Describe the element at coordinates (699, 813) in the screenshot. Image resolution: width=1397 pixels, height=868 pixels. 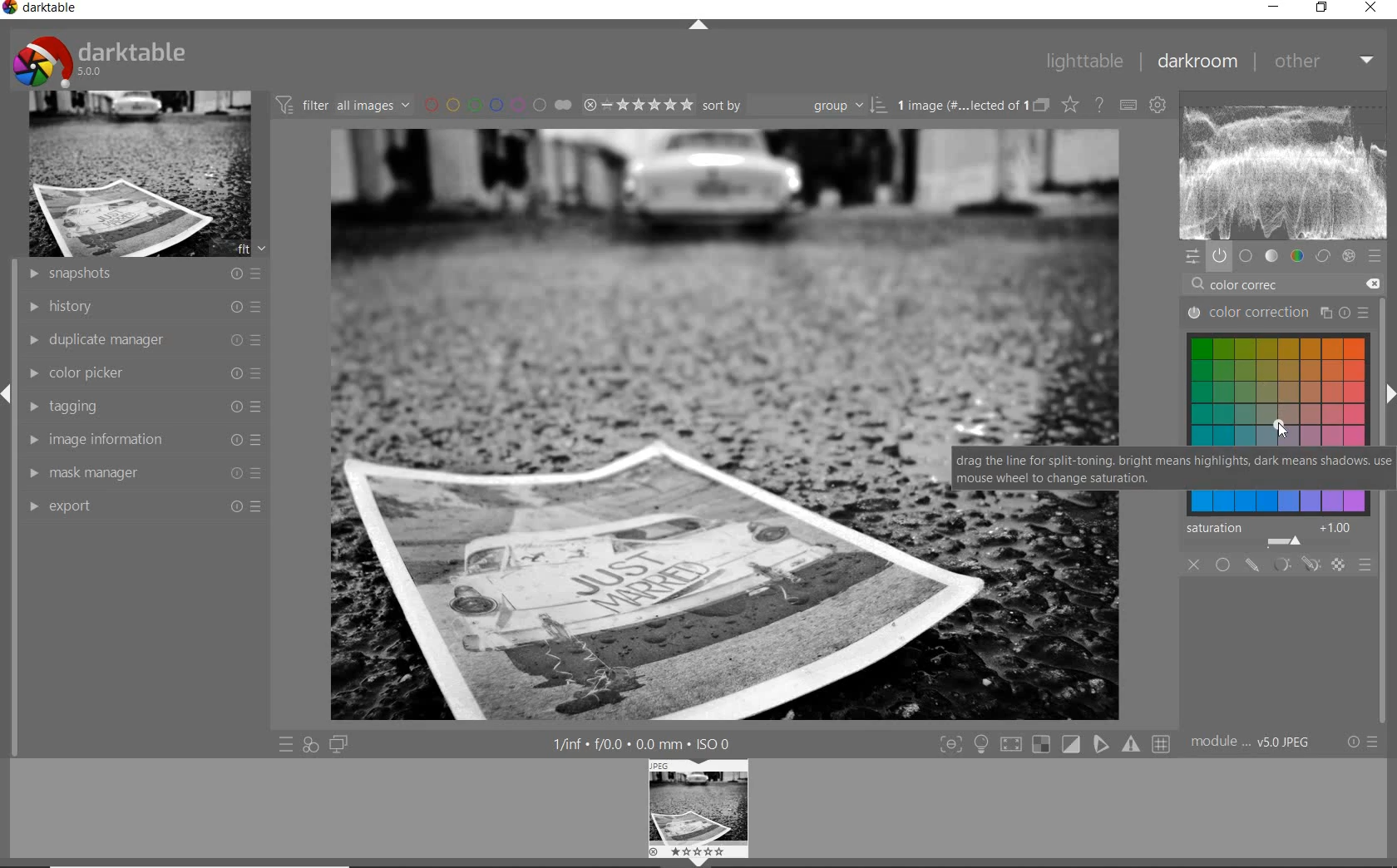
I see `image previe` at that location.